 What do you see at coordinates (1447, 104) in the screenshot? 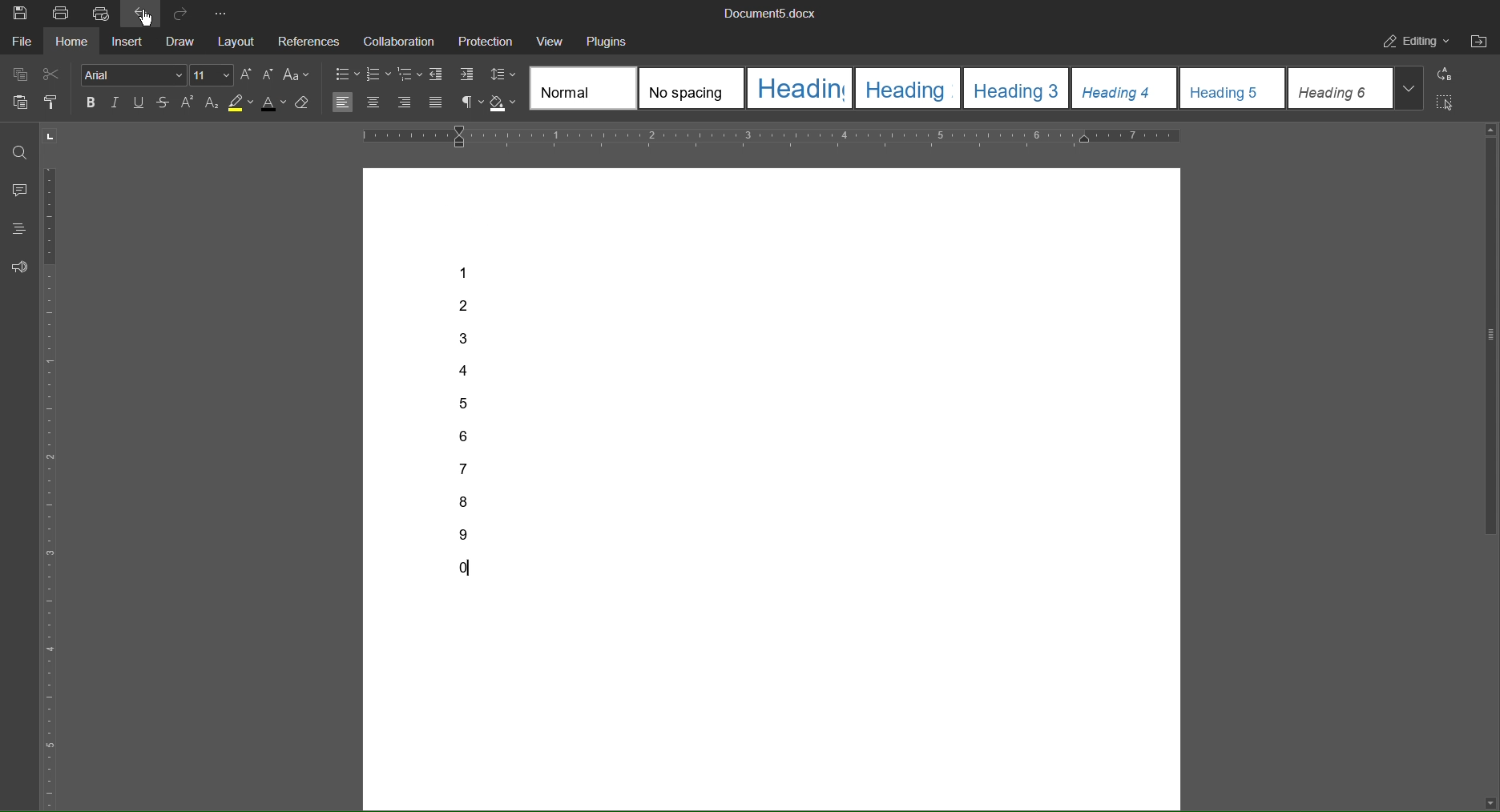
I see `Select All` at bounding box center [1447, 104].